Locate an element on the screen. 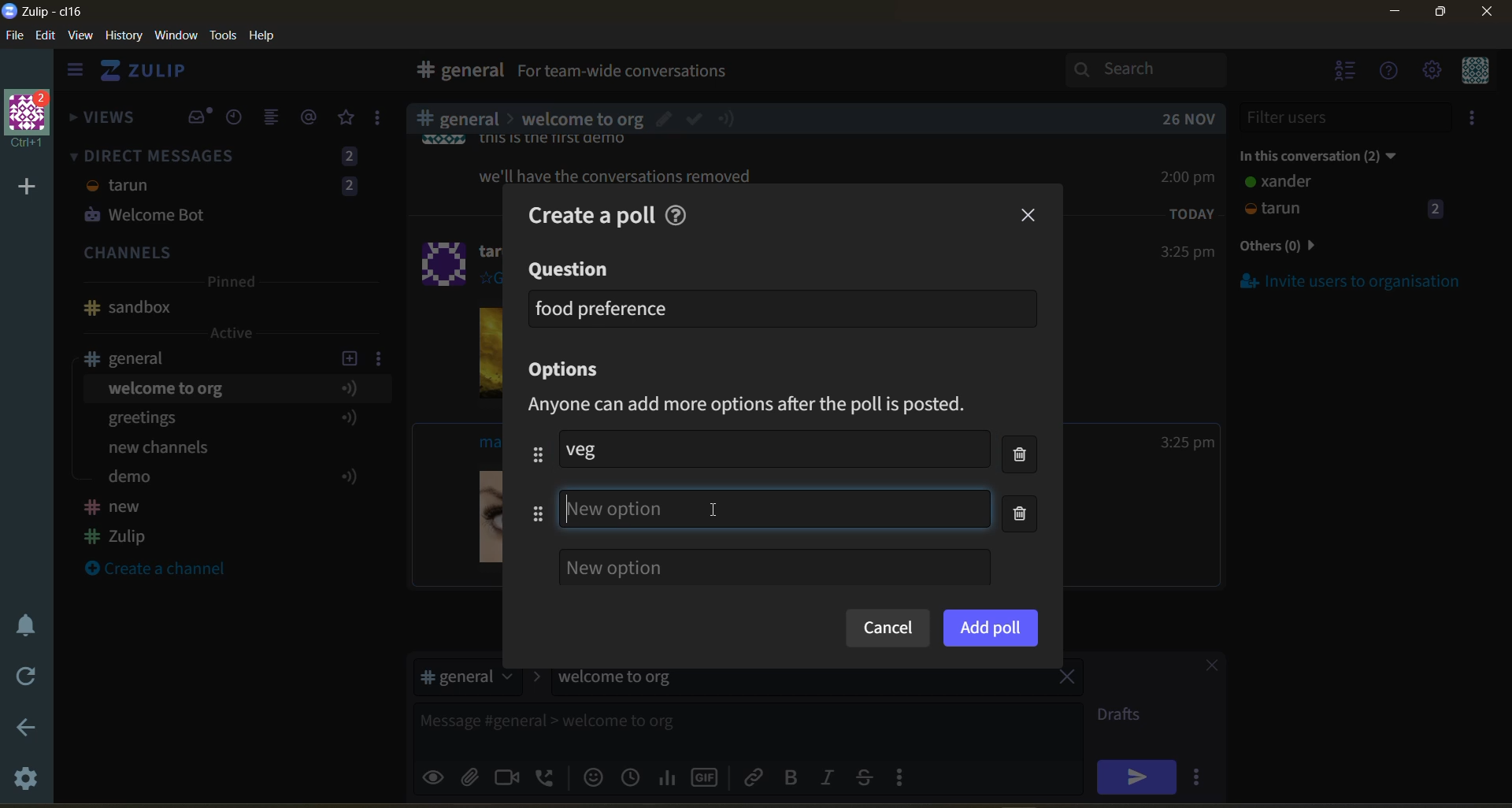 The width and height of the screenshot is (1512, 808). minimize is located at coordinates (1395, 14).